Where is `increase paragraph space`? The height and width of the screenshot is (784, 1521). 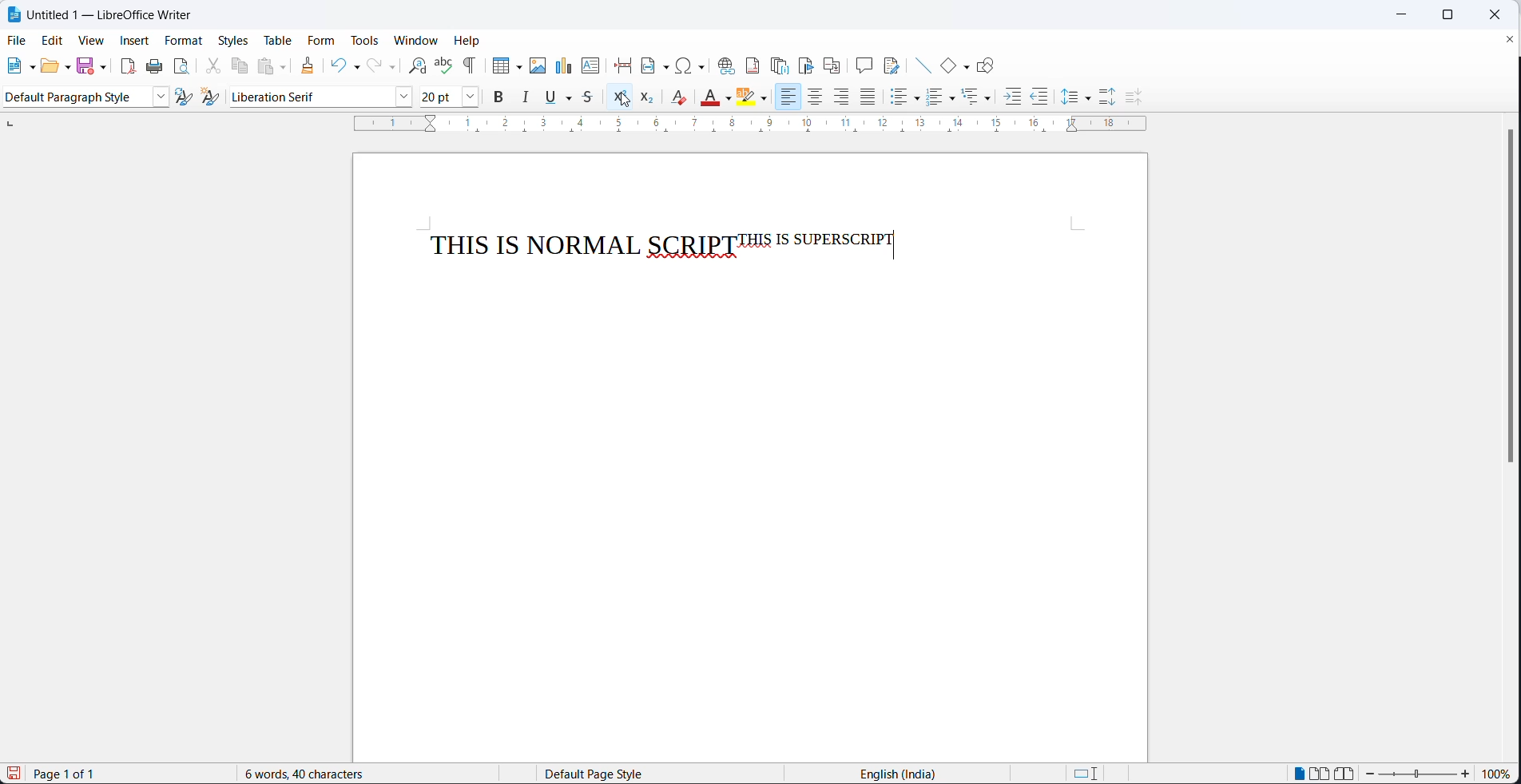 increase paragraph space is located at coordinates (1107, 97).